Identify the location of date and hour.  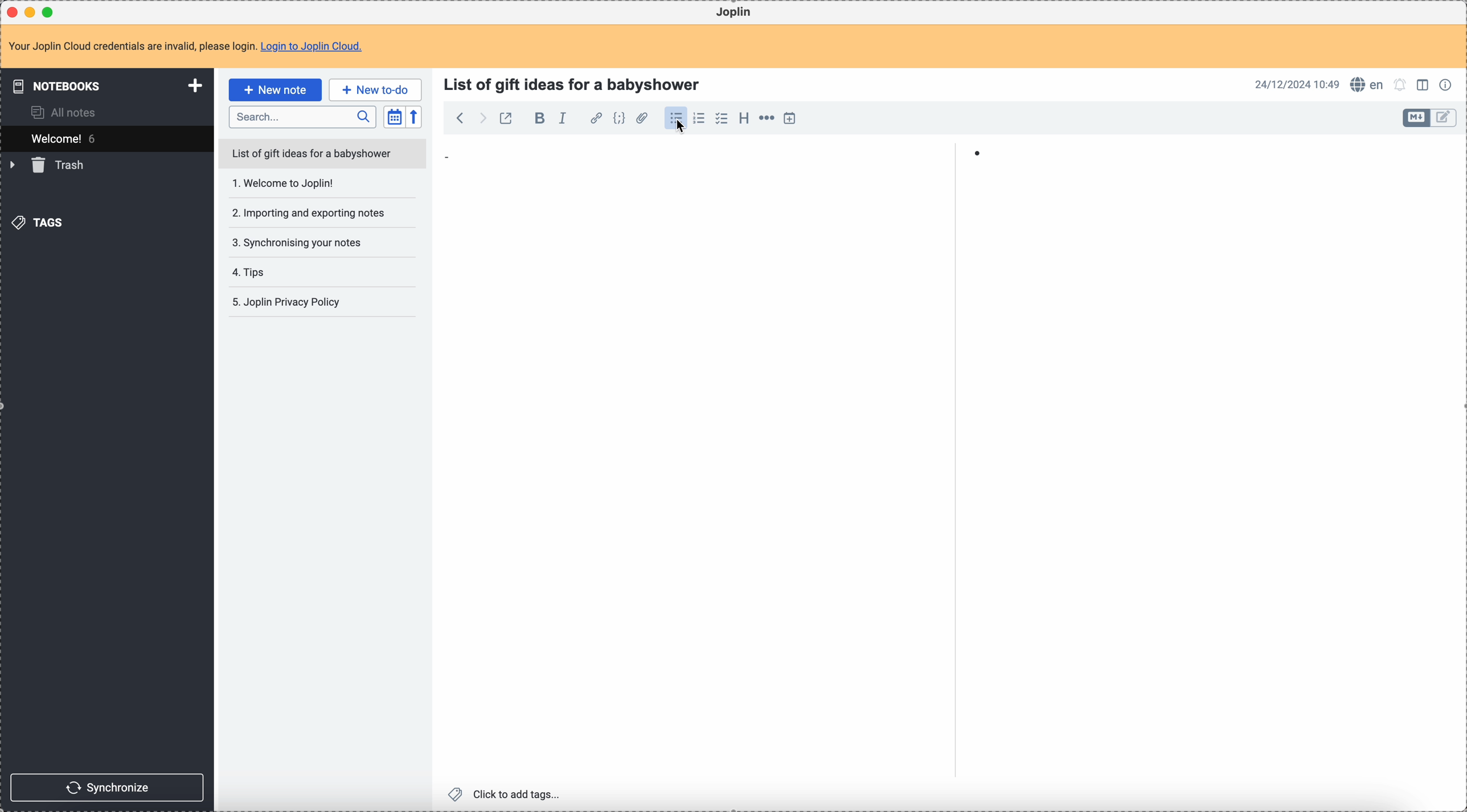
(1297, 84).